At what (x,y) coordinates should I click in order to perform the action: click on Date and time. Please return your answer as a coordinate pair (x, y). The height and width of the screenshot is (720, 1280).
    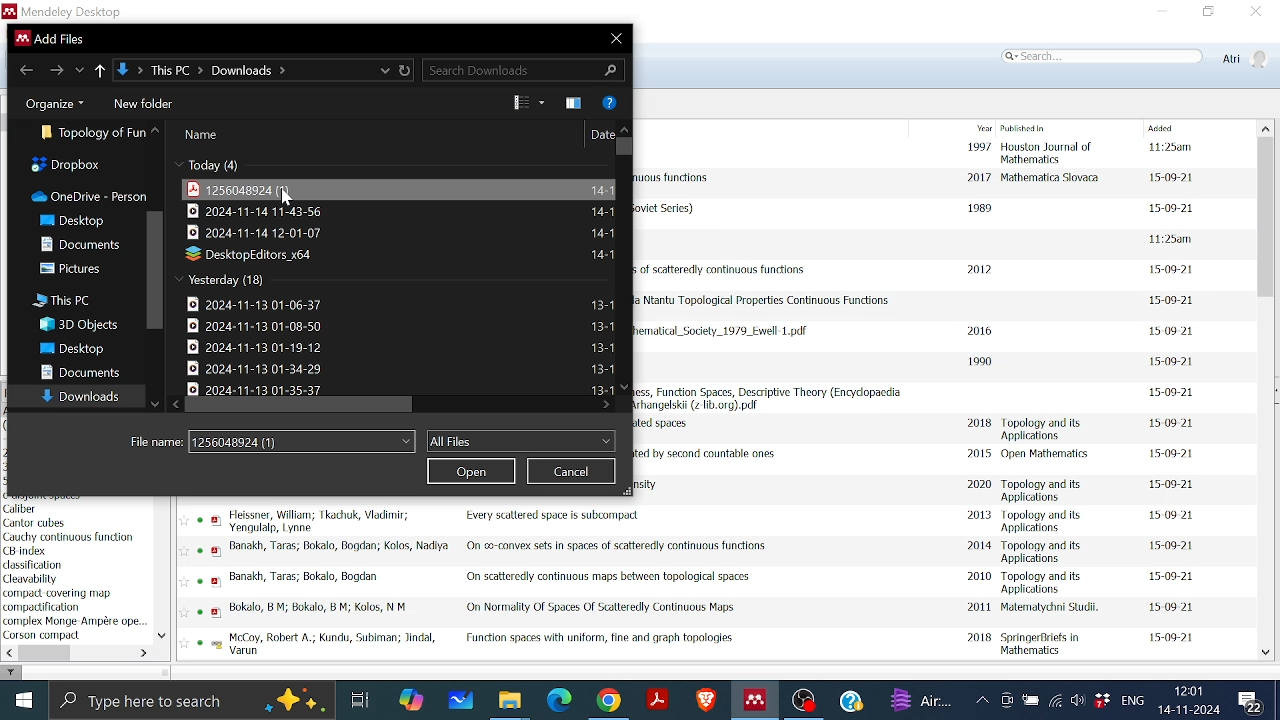
    Looking at the image, I should click on (1189, 699).